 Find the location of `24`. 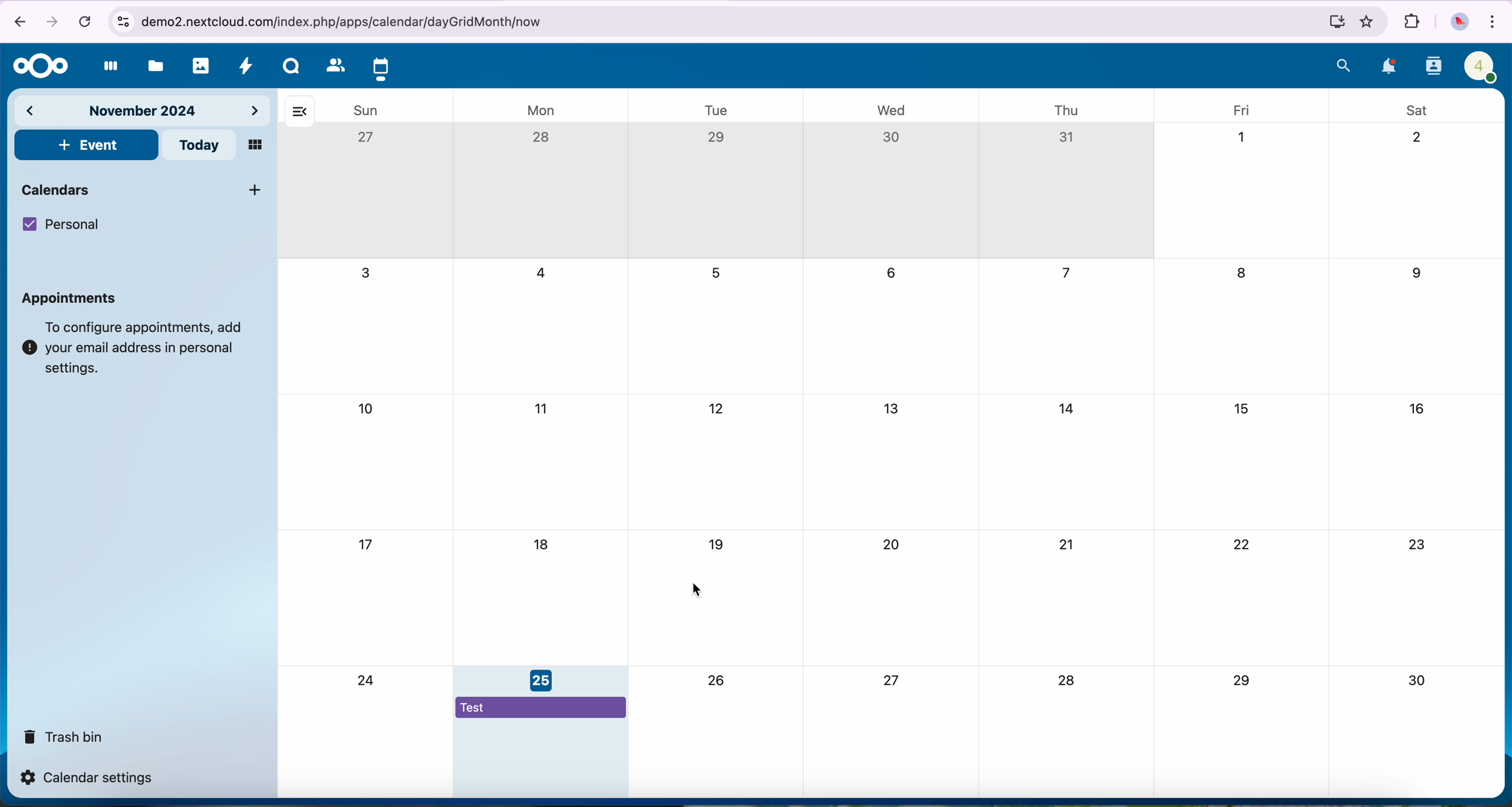

24 is located at coordinates (369, 681).